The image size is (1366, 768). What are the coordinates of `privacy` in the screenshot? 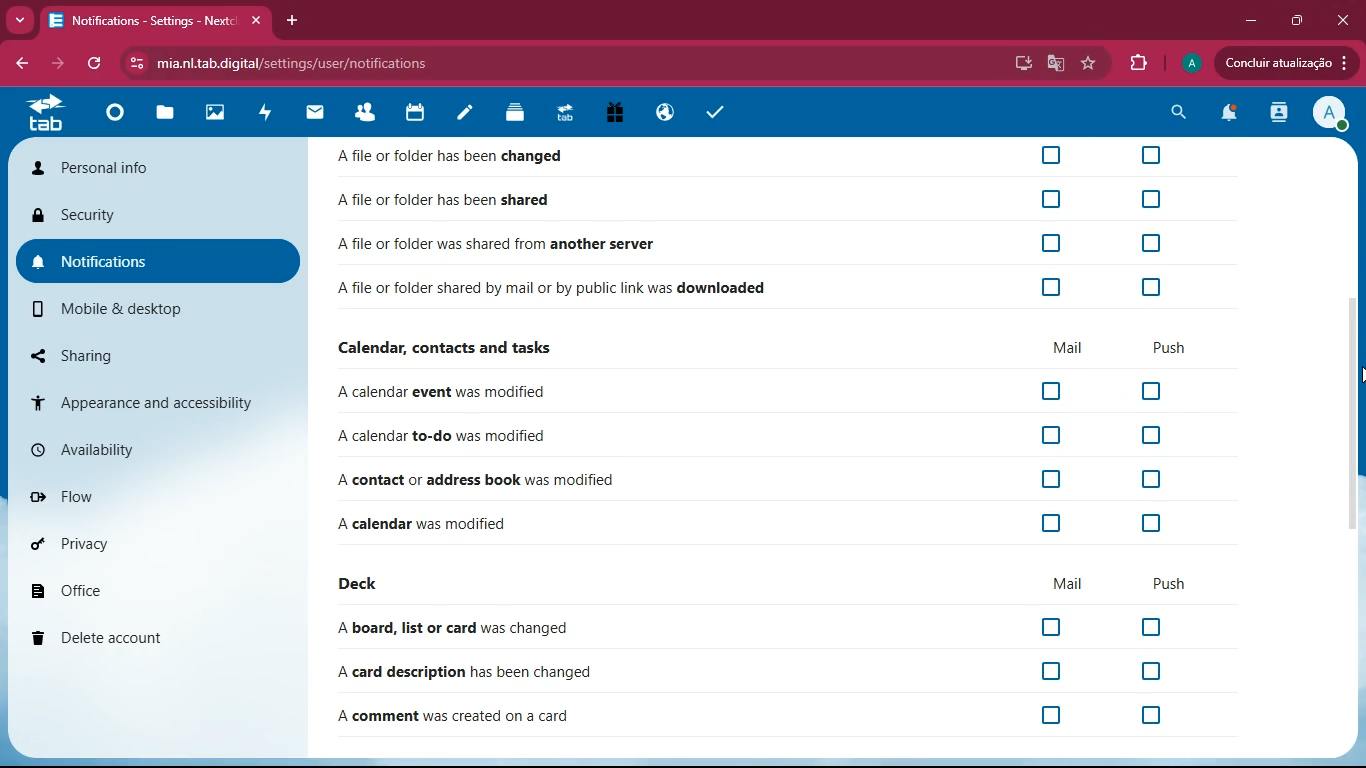 It's located at (137, 545).